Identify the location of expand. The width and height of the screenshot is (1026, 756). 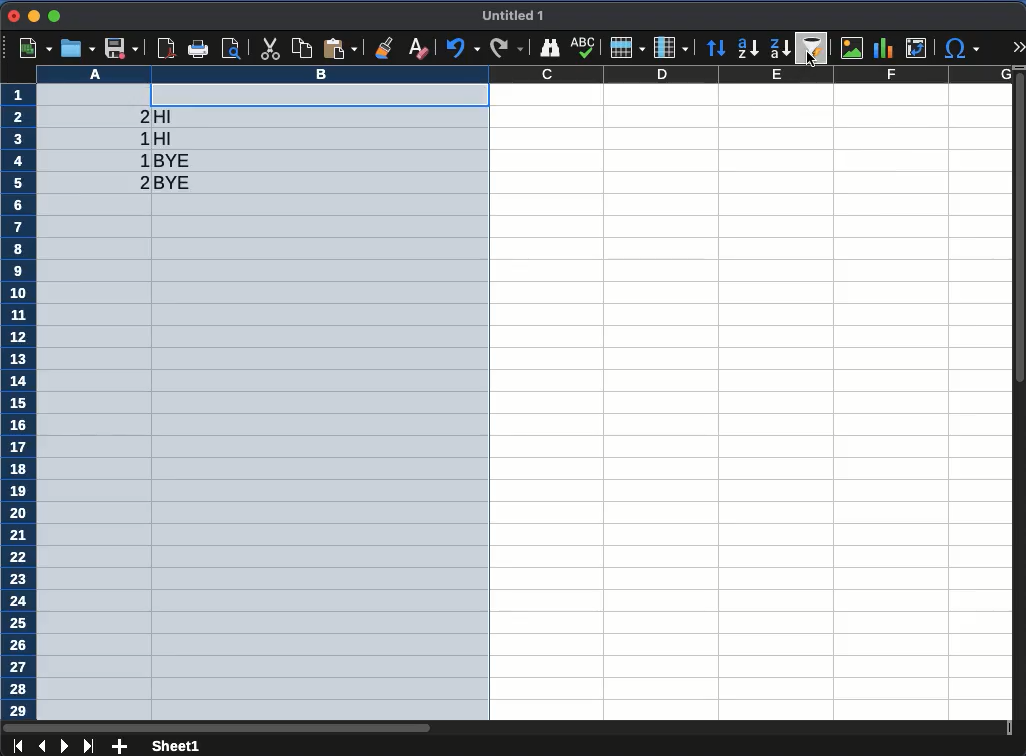
(1020, 47).